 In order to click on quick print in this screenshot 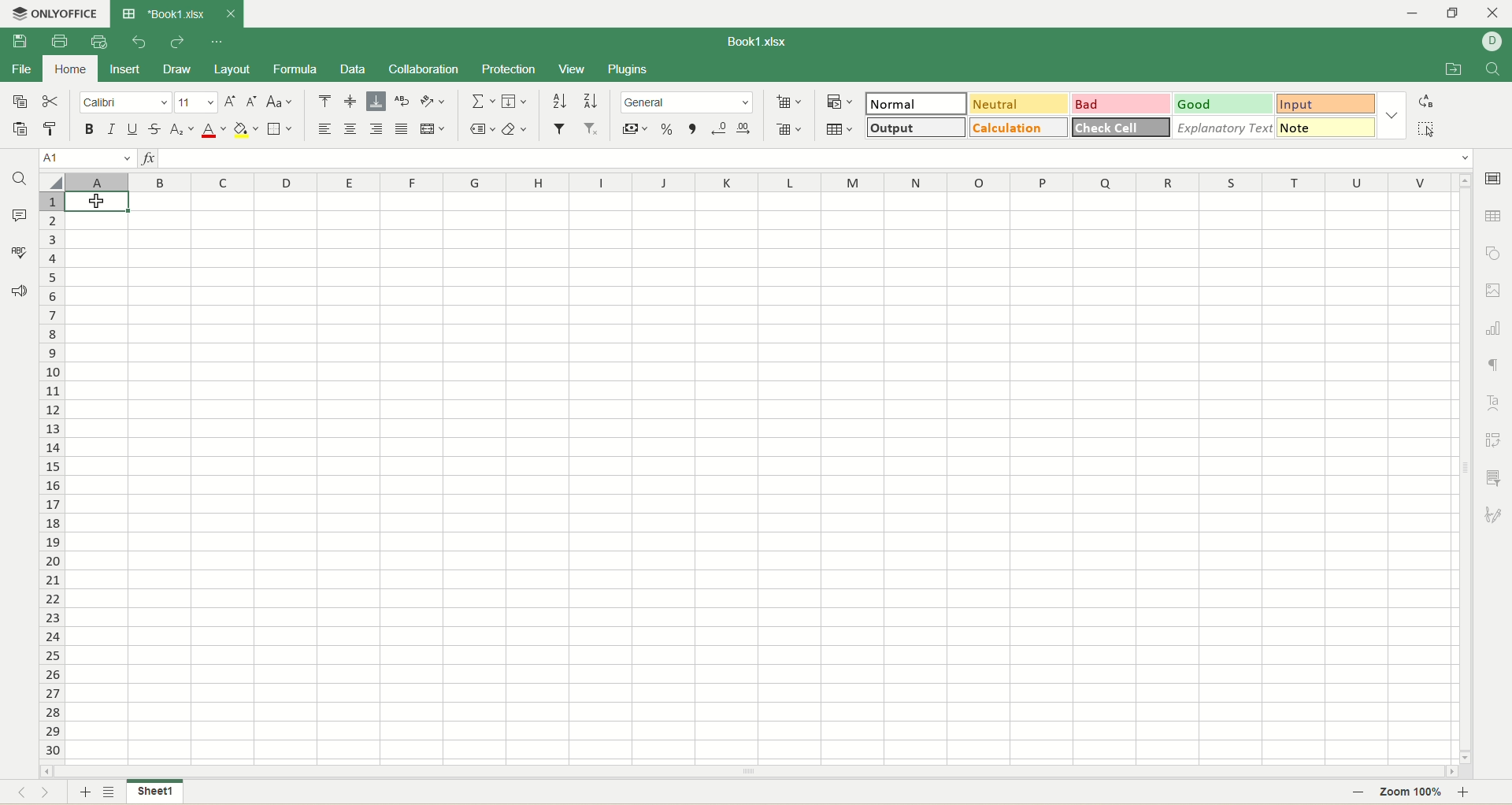, I will do `click(99, 42)`.